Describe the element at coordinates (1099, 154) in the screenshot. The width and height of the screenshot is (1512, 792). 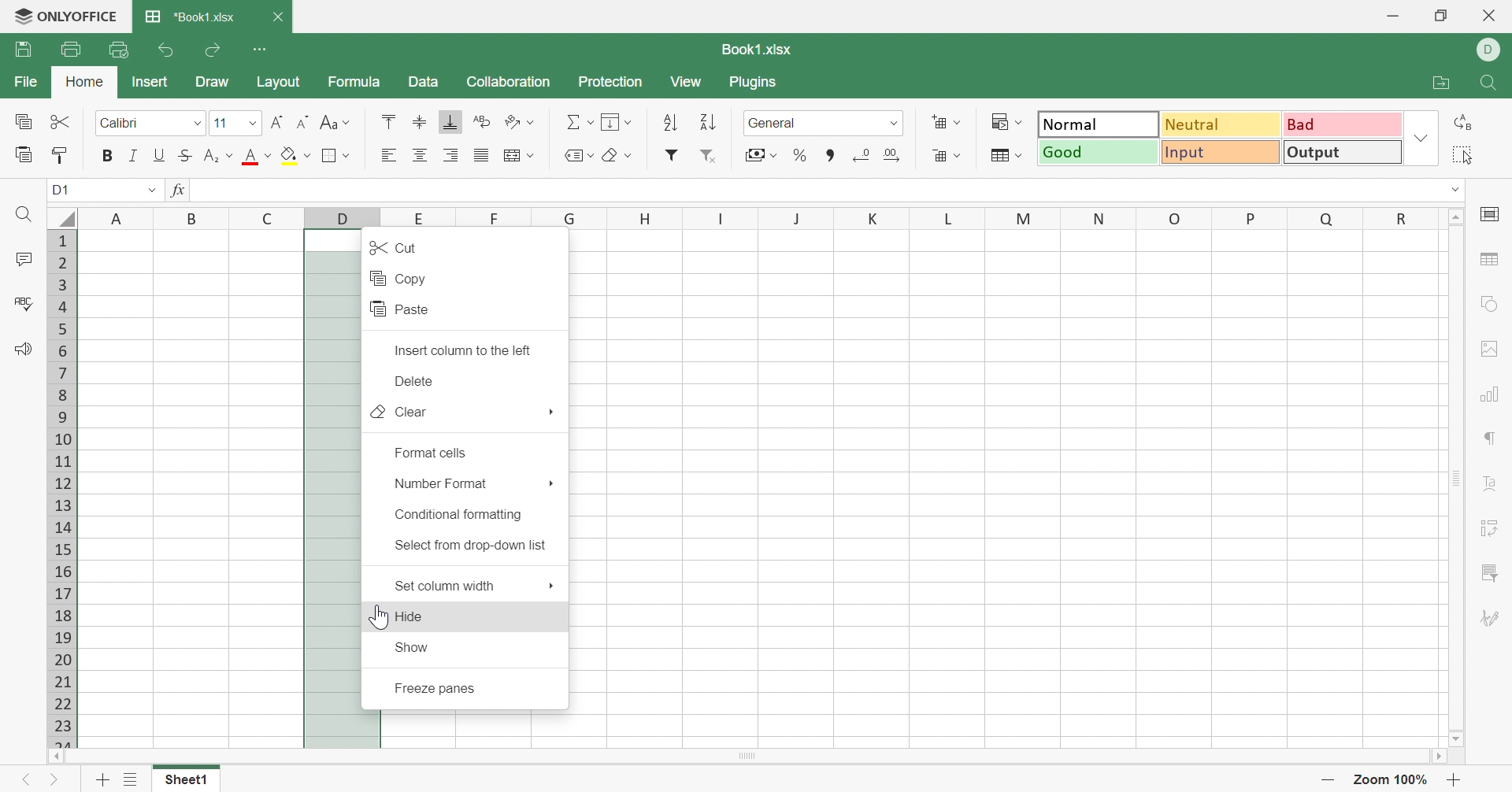
I see `Good` at that location.